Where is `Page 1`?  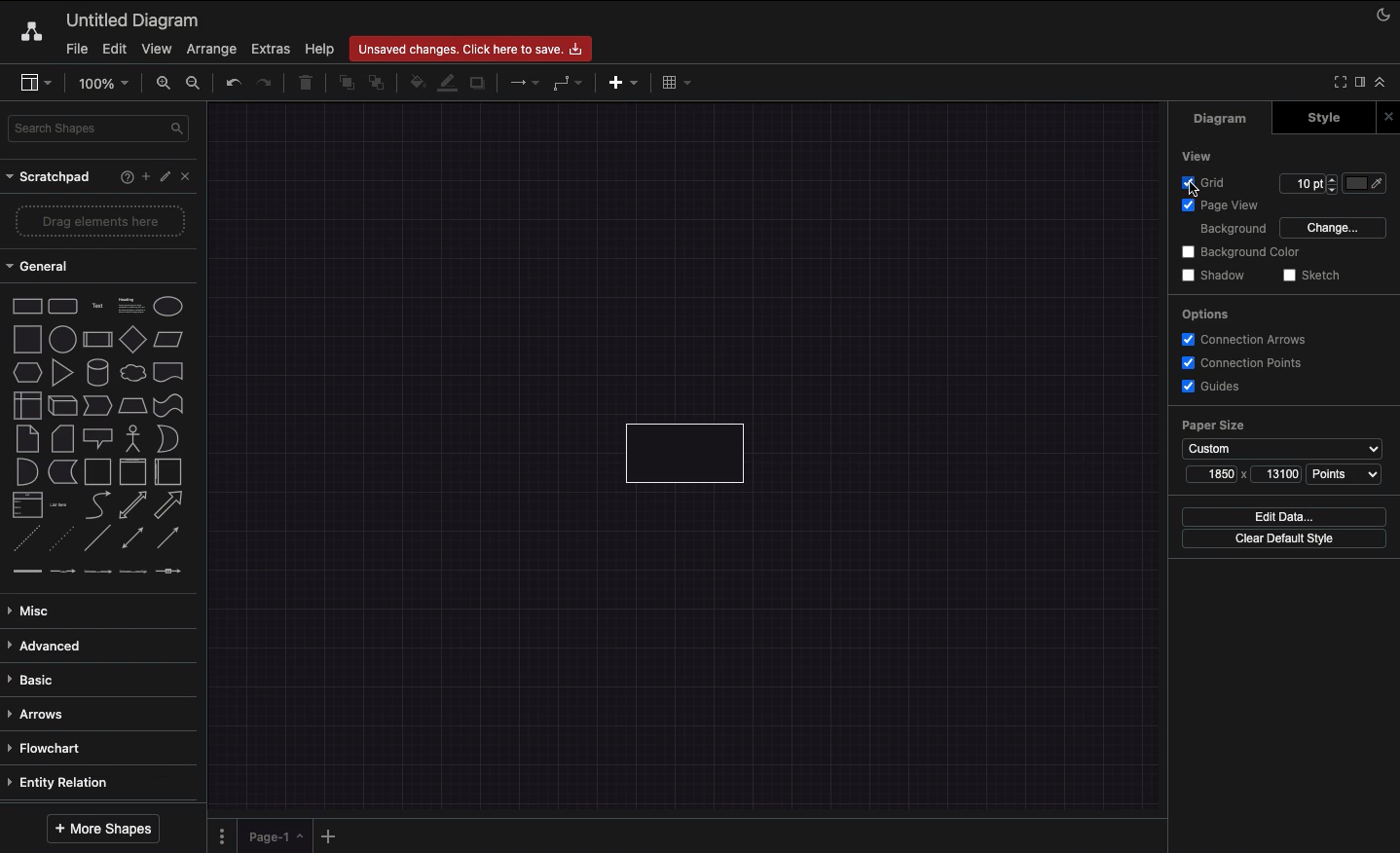
Page 1 is located at coordinates (276, 837).